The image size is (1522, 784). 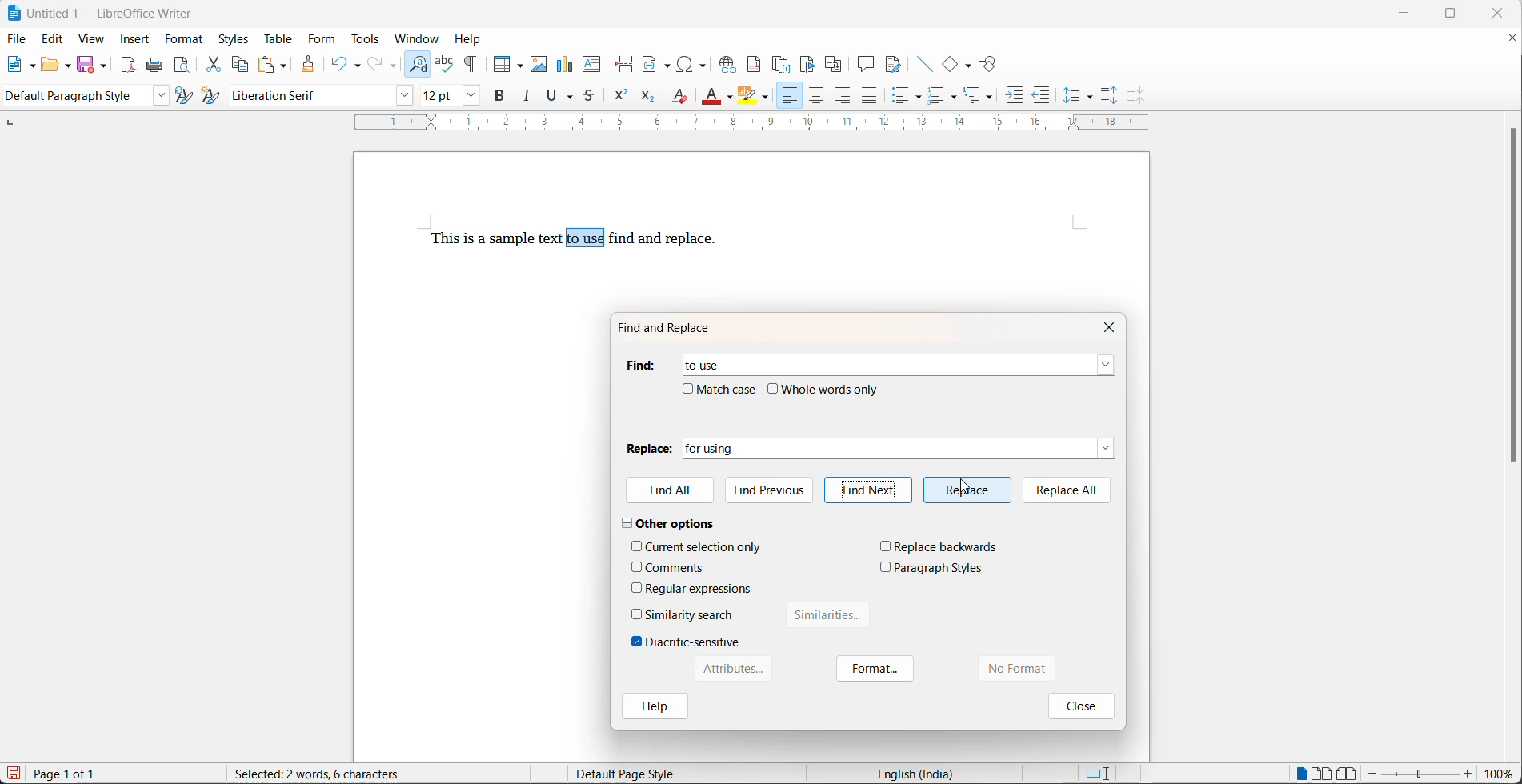 What do you see at coordinates (654, 708) in the screenshot?
I see `help` at bounding box center [654, 708].